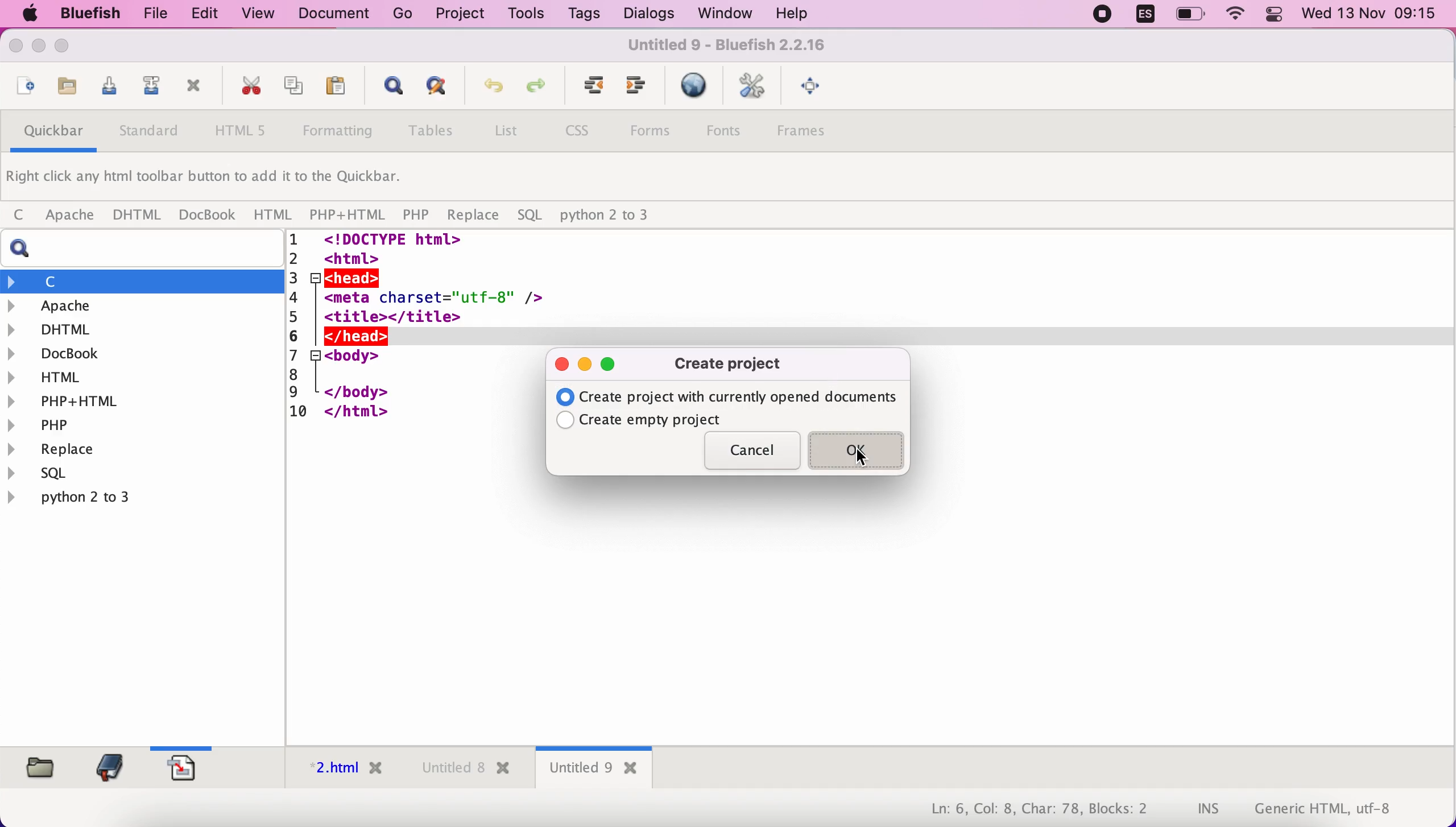 This screenshot has height=827, width=1456. What do you see at coordinates (334, 88) in the screenshot?
I see `paste` at bounding box center [334, 88].